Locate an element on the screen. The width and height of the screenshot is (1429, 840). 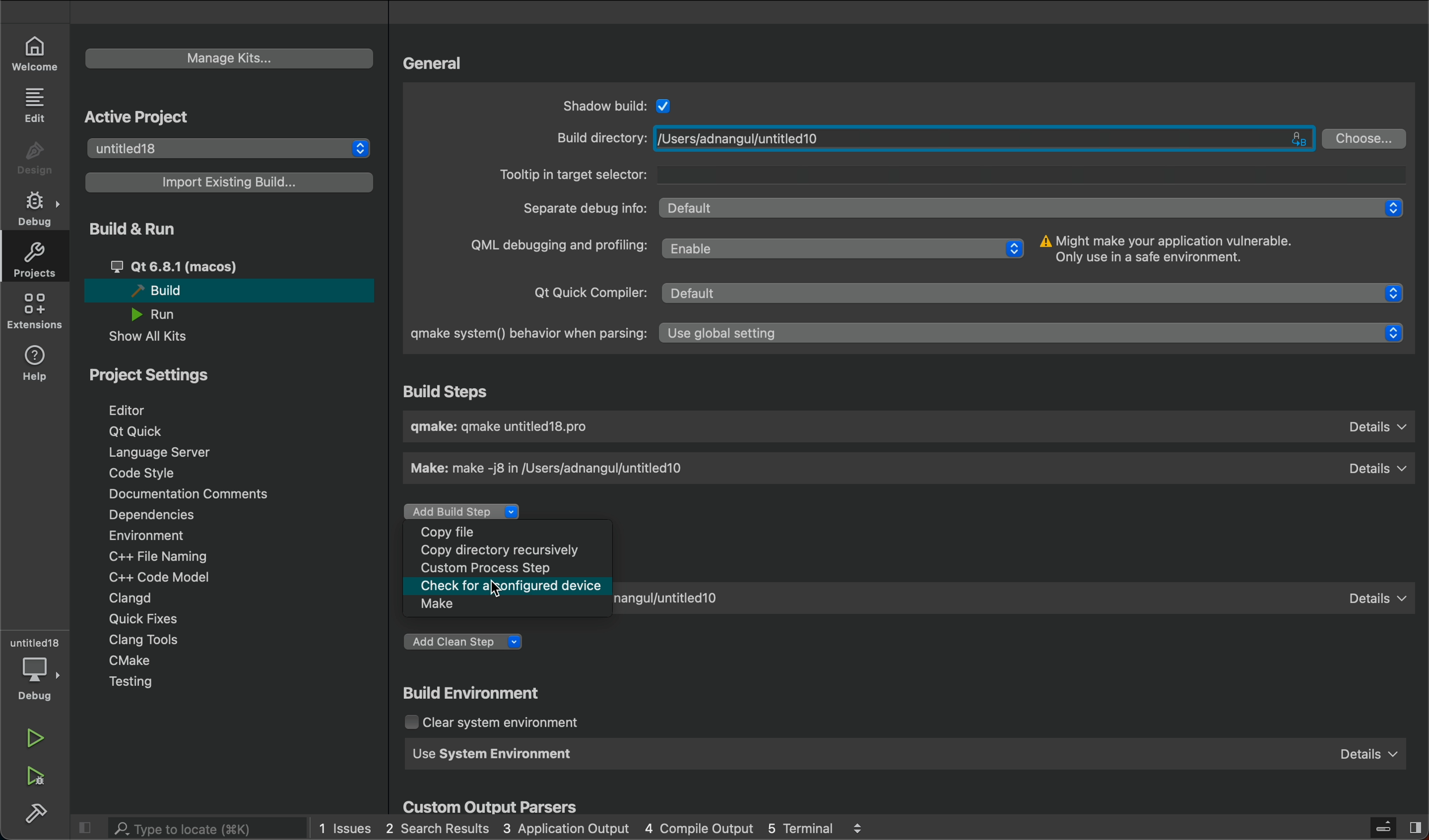
gmake system() behavior when parsing: is located at coordinates (526, 334).